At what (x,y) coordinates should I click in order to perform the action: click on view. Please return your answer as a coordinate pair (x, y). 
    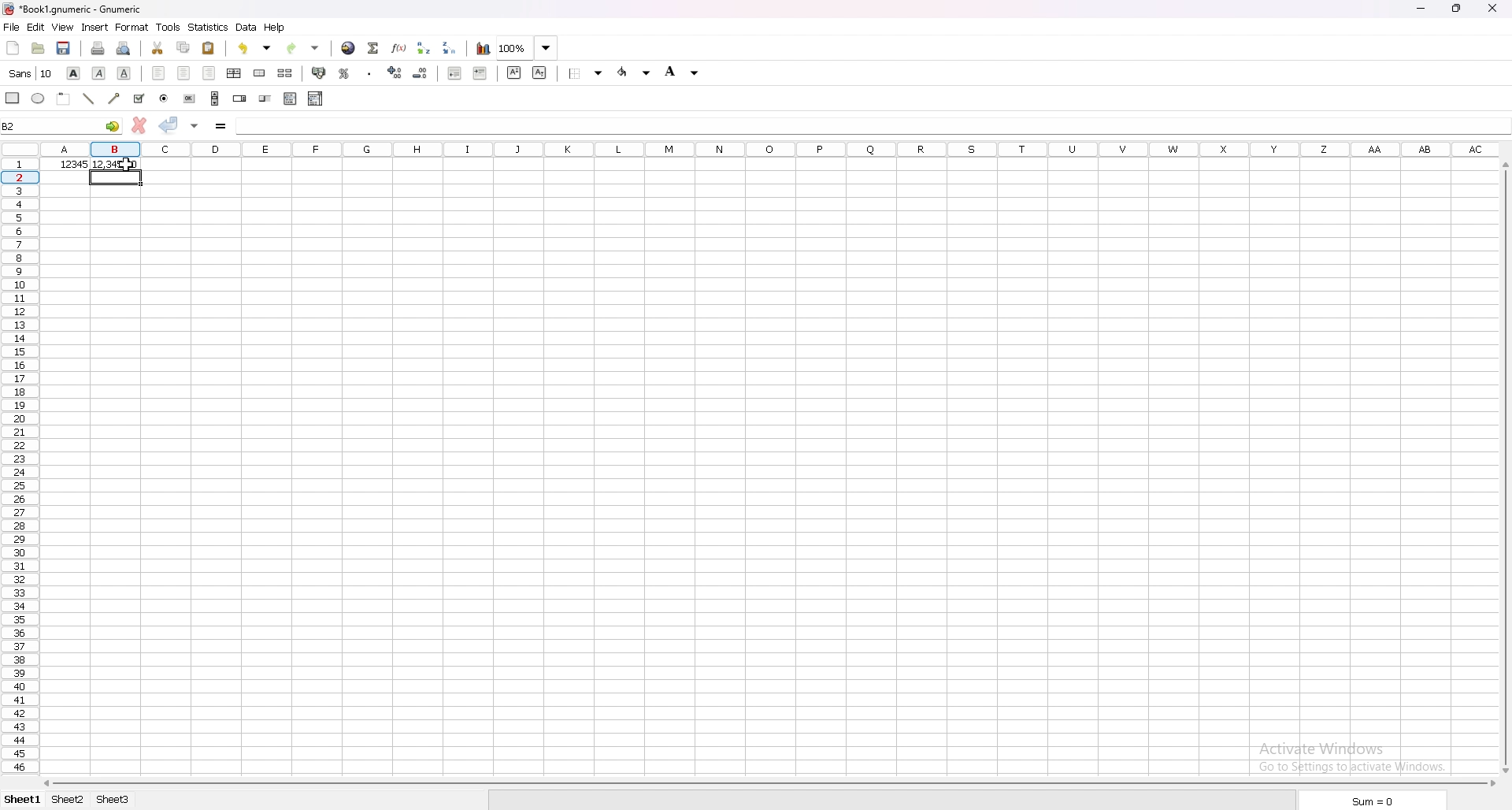
    Looking at the image, I should click on (63, 28).